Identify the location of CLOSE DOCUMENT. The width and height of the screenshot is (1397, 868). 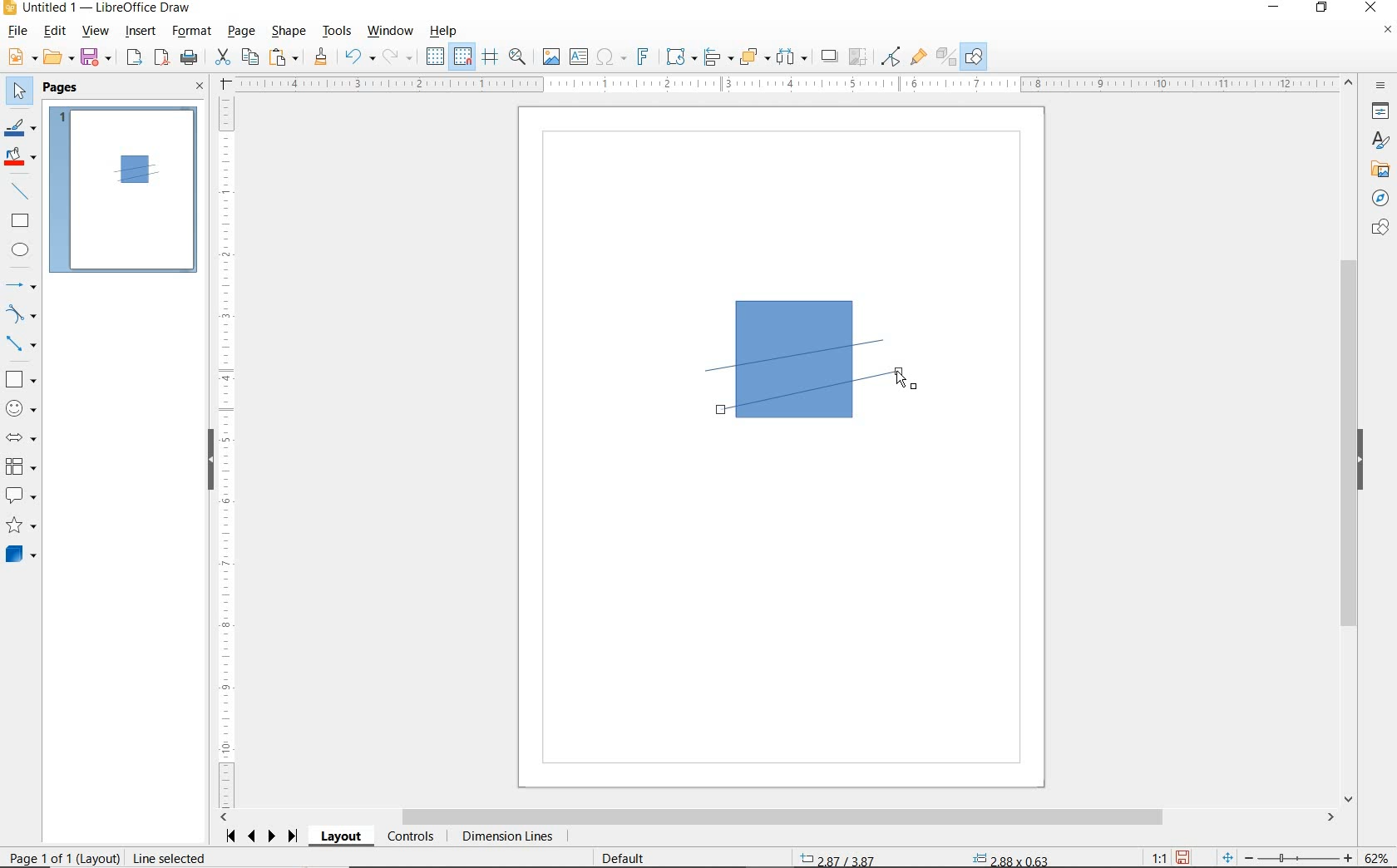
(1387, 31).